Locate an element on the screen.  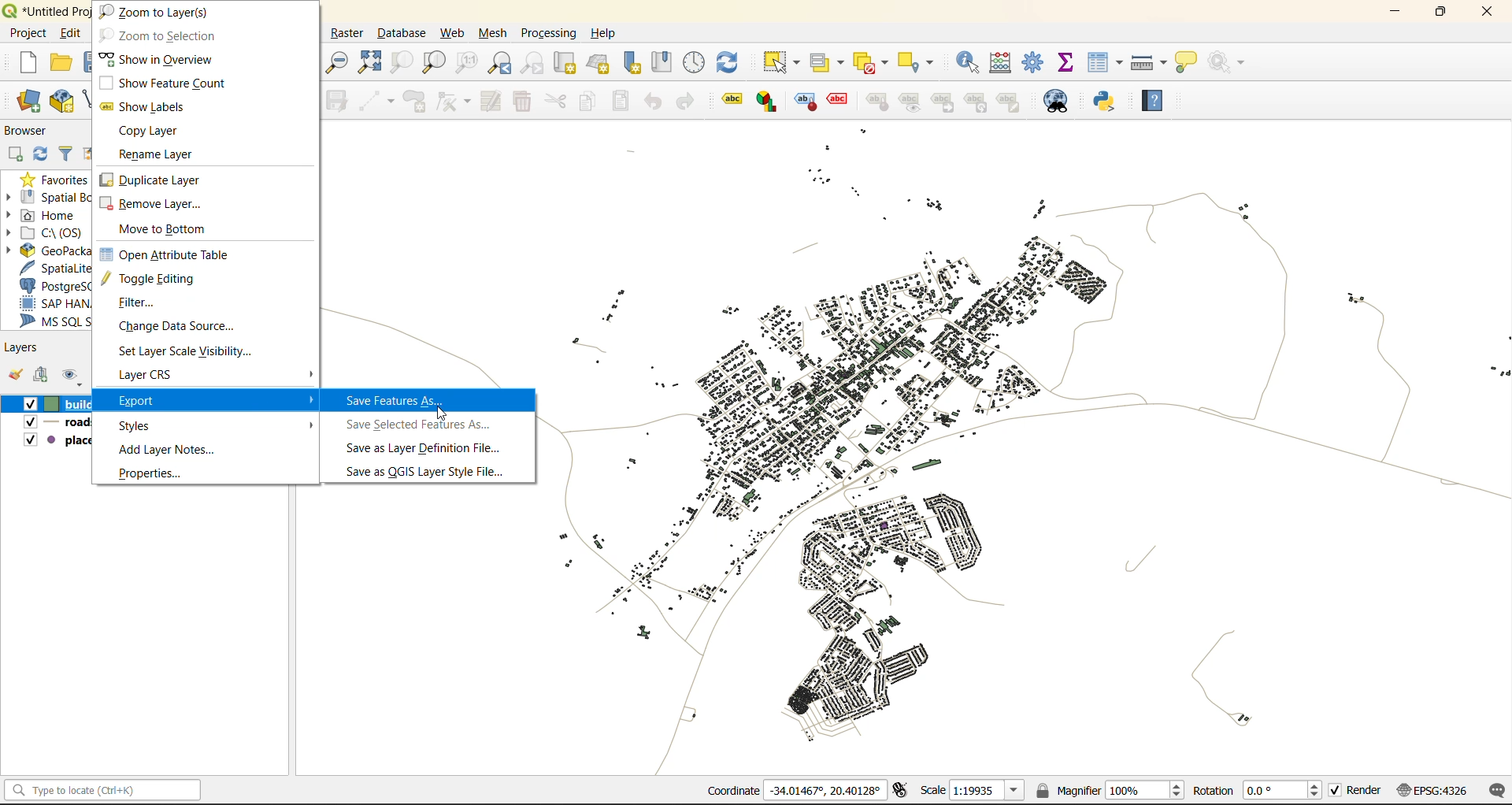
toggle display of unplaced is located at coordinates (839, 103).